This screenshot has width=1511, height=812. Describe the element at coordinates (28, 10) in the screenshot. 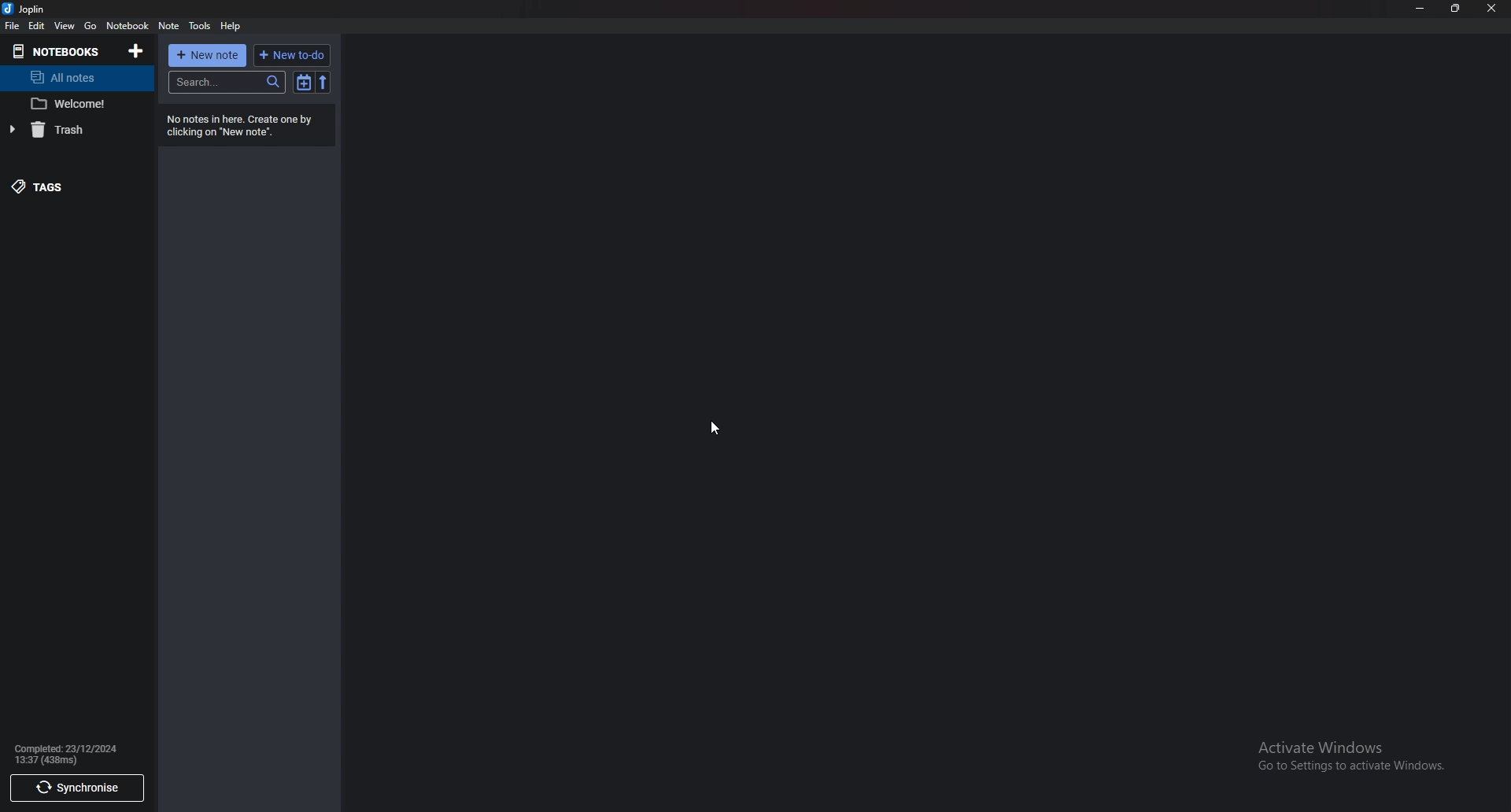

I see `joplin` at that location.